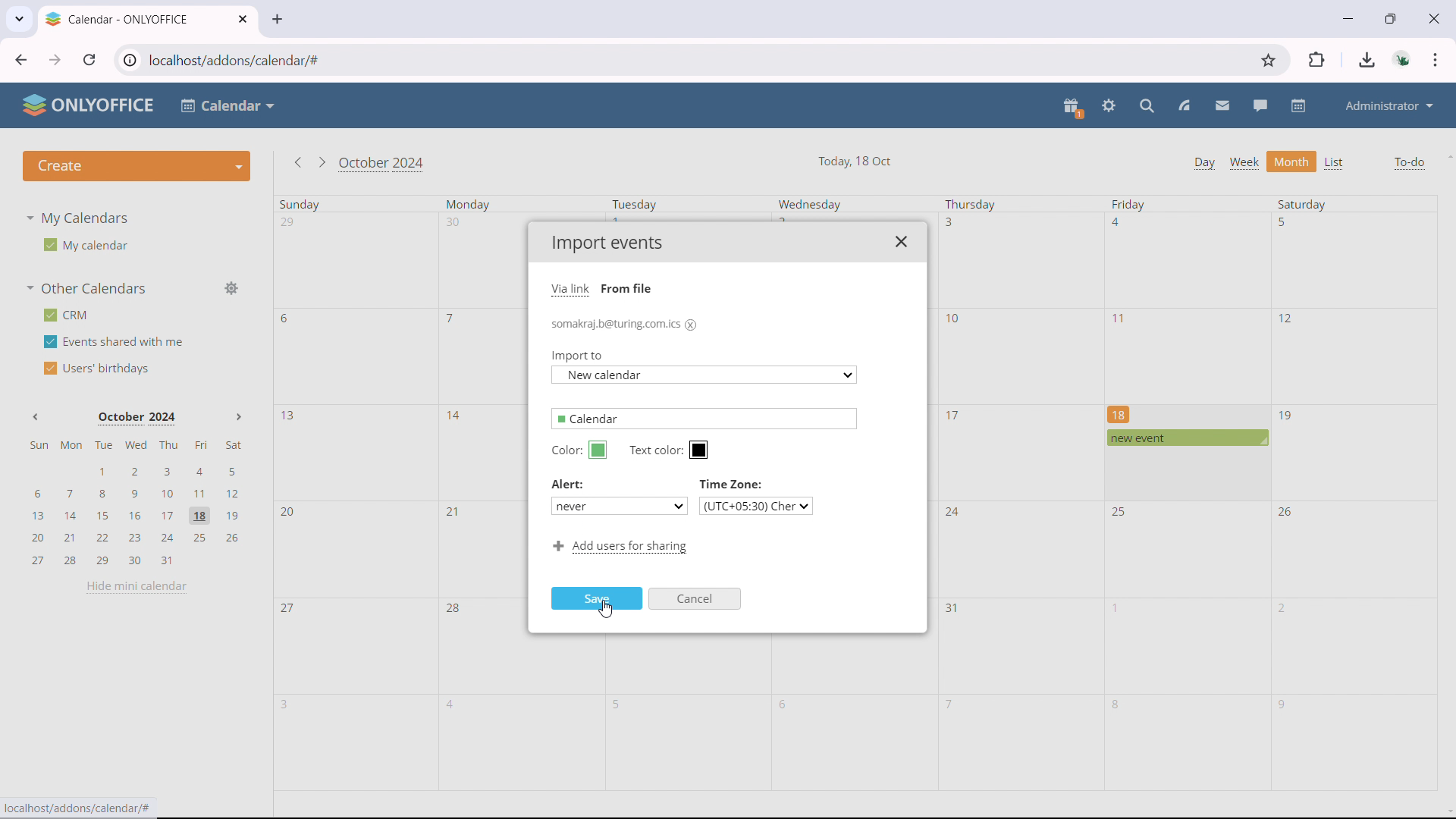 This screenshot has height=819, width=1456. I want to click on Today, 18 Oct, so click(855, 161).